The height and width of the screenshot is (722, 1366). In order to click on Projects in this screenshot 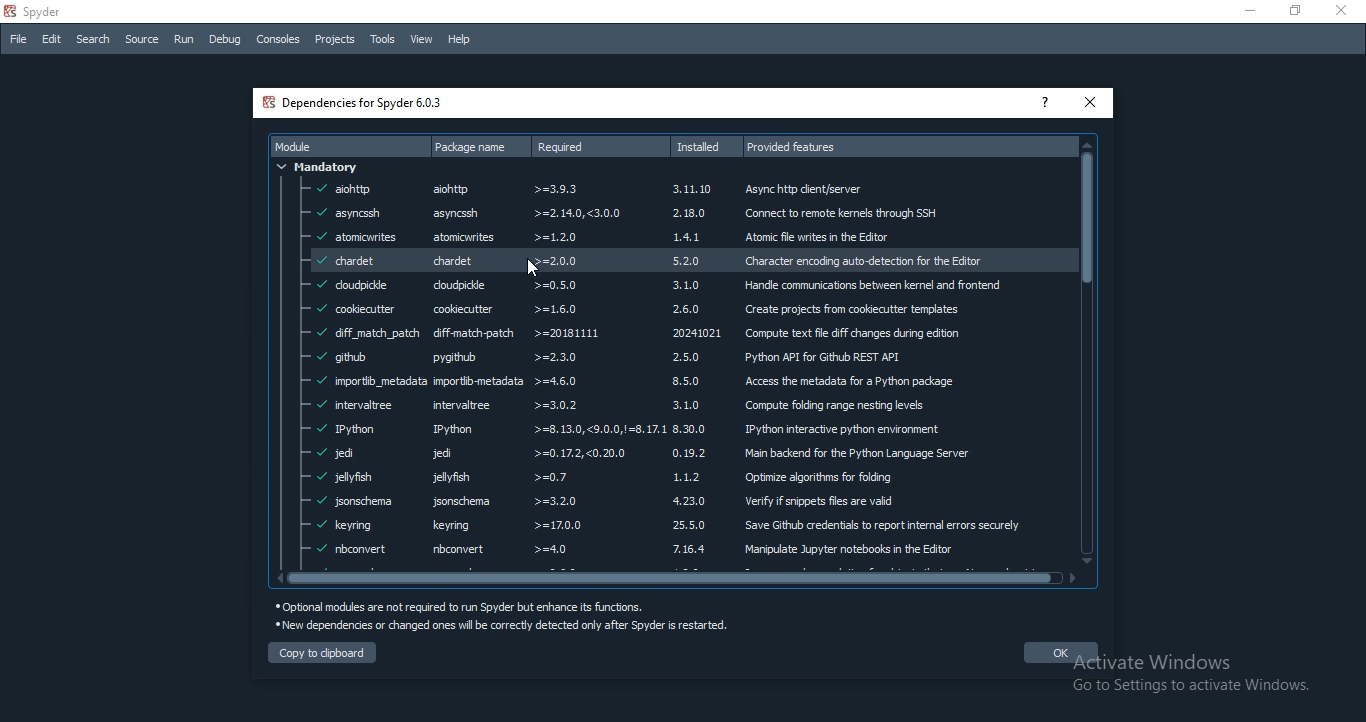, I will do `click(334, 41)`.